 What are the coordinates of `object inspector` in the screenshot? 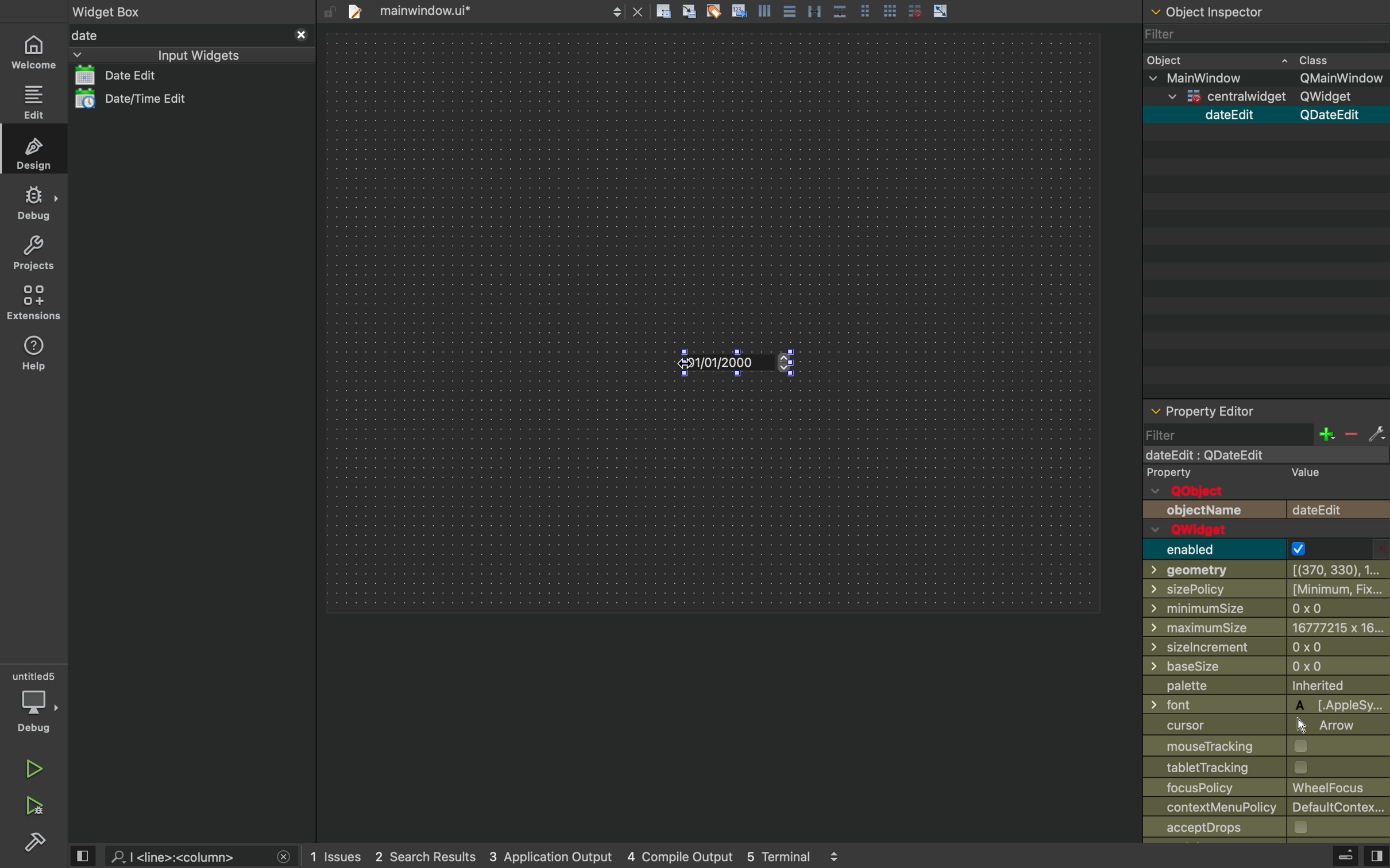 It's located at (1266, 12).